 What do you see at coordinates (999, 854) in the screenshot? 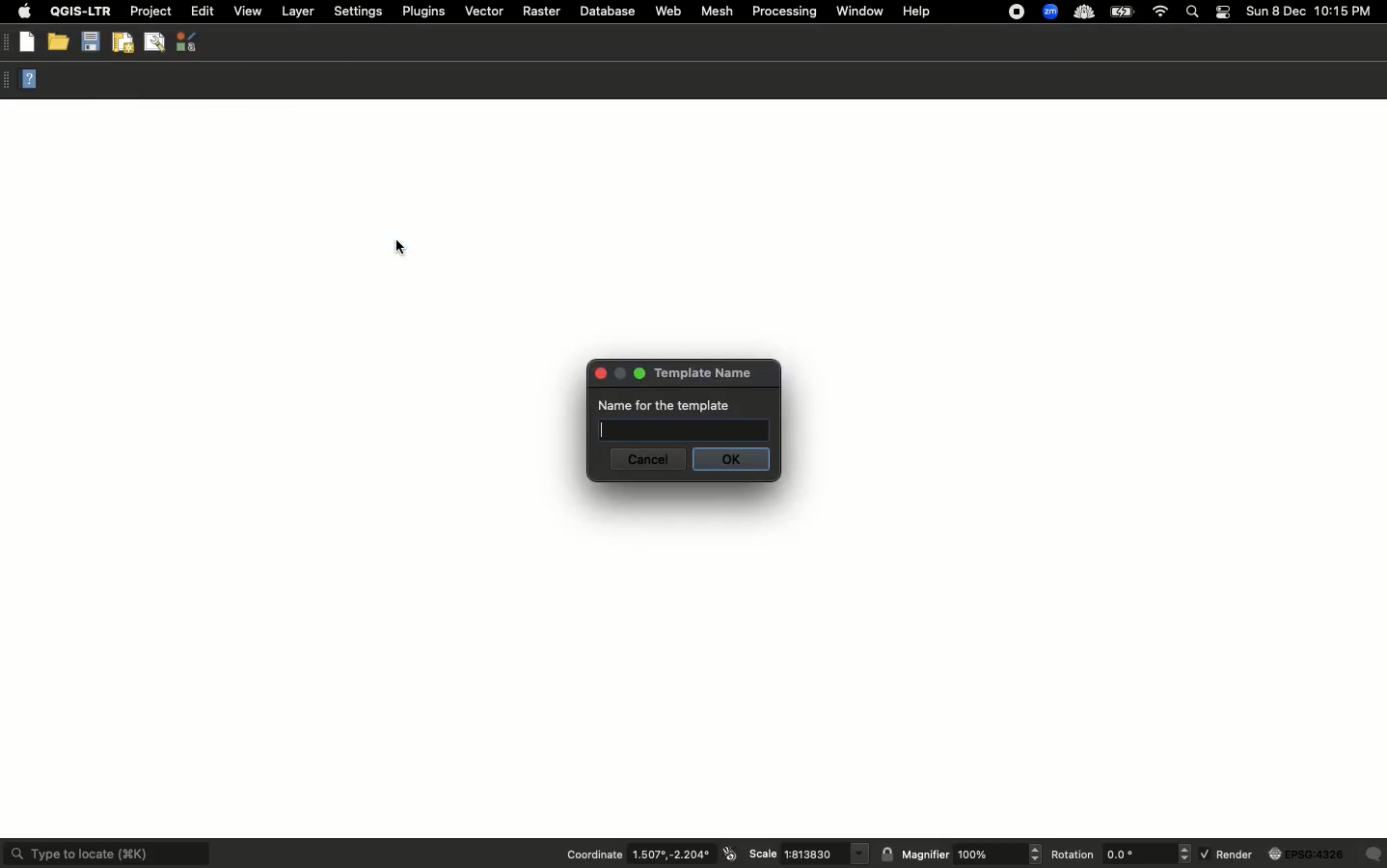
I see `magnifier` at bounding box center [999, 854].